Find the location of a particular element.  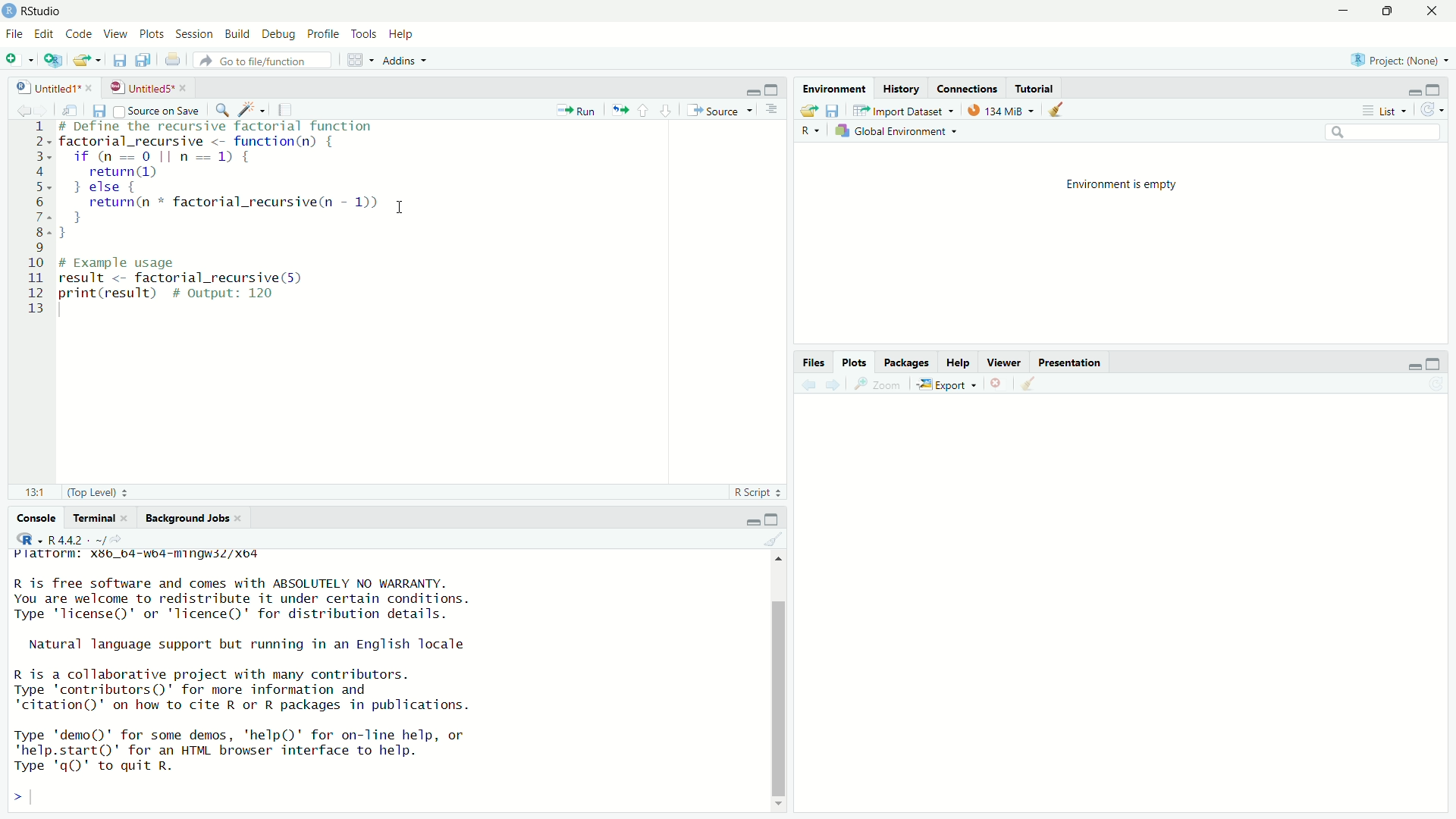

Print the current file is located at coordinates (178, 63).